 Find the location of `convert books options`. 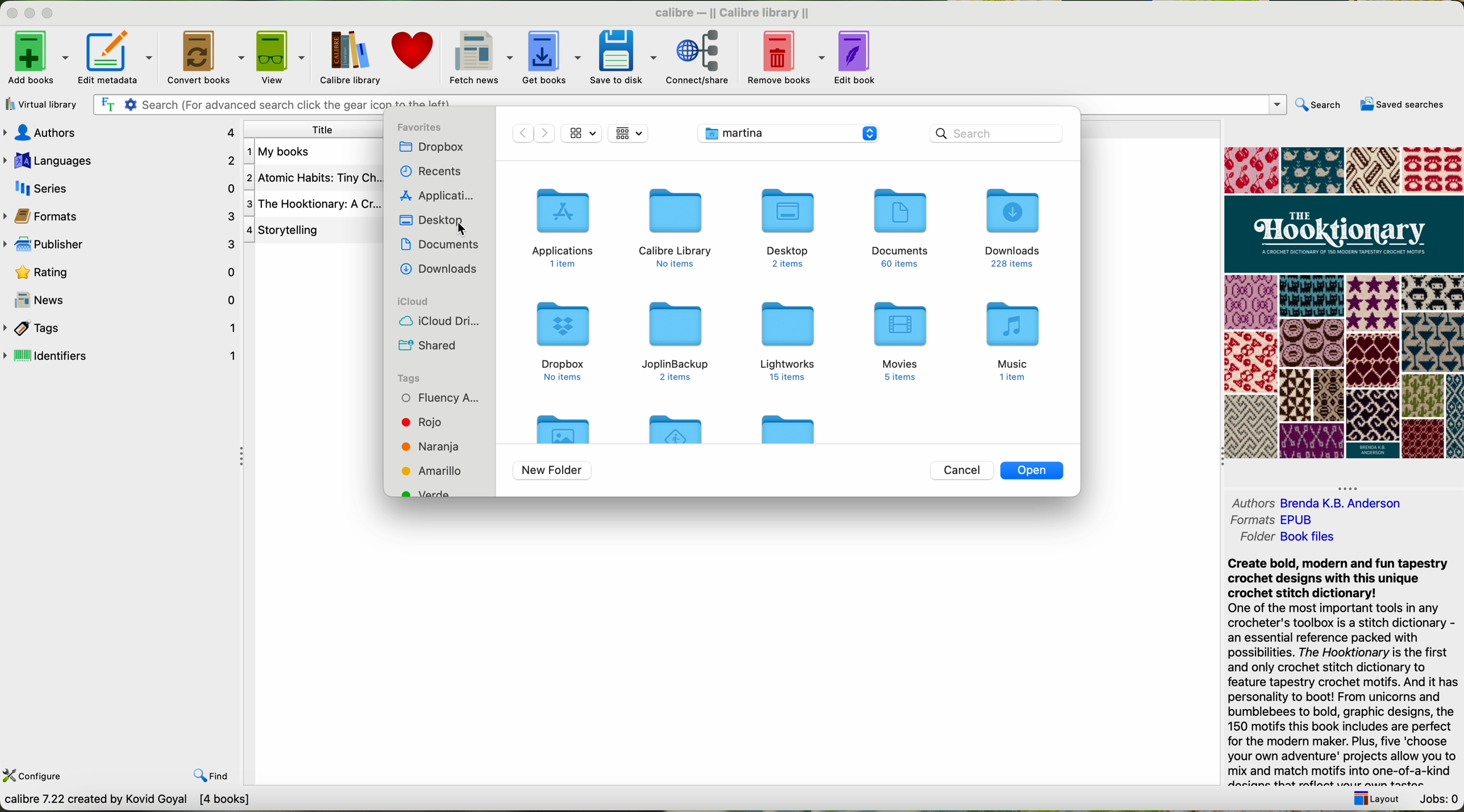

convert books options is located at coordinates (205, 59).